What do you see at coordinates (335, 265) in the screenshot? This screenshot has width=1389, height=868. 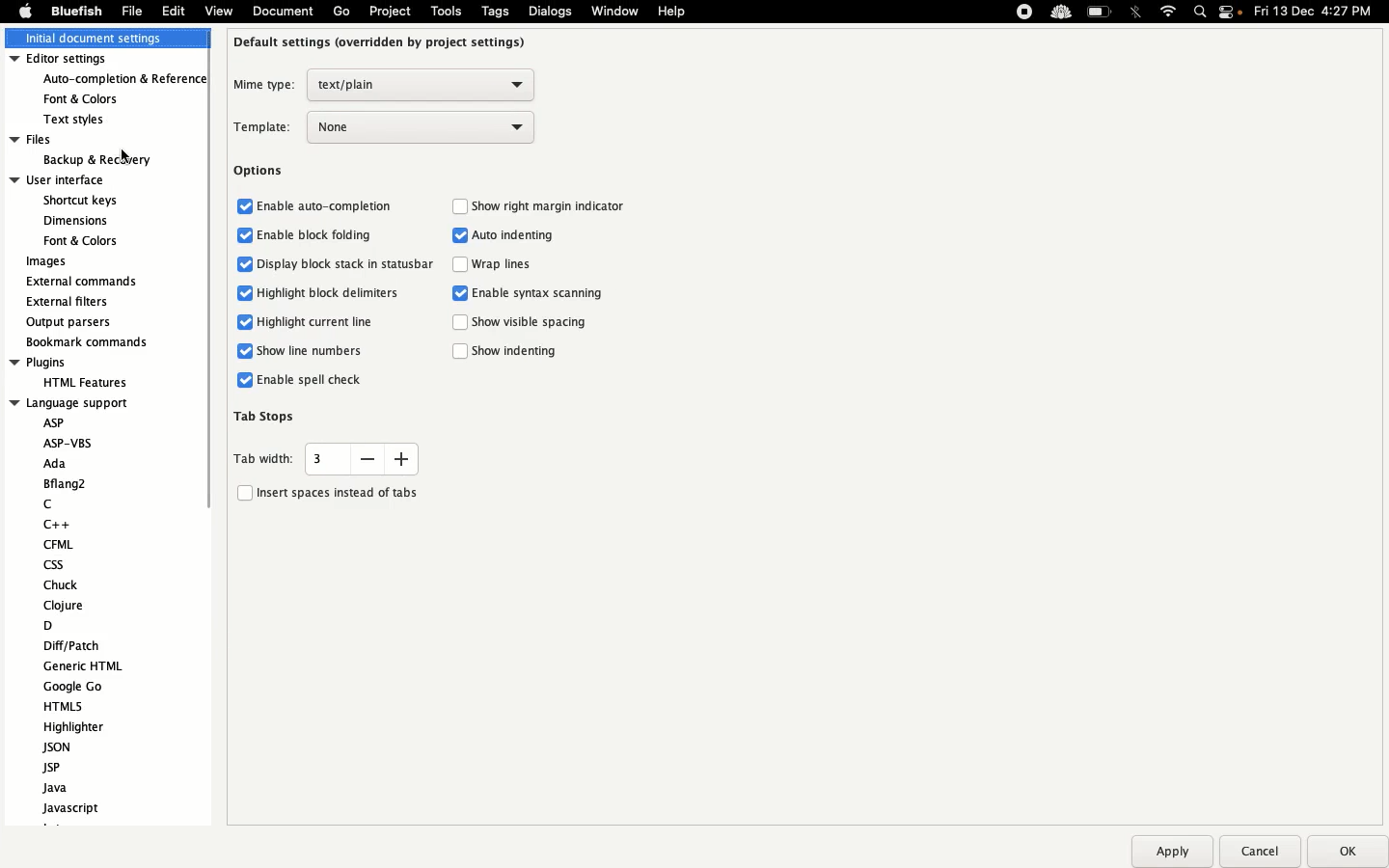 I see `Display block stack in status bar` at bounding box center [335, 265].